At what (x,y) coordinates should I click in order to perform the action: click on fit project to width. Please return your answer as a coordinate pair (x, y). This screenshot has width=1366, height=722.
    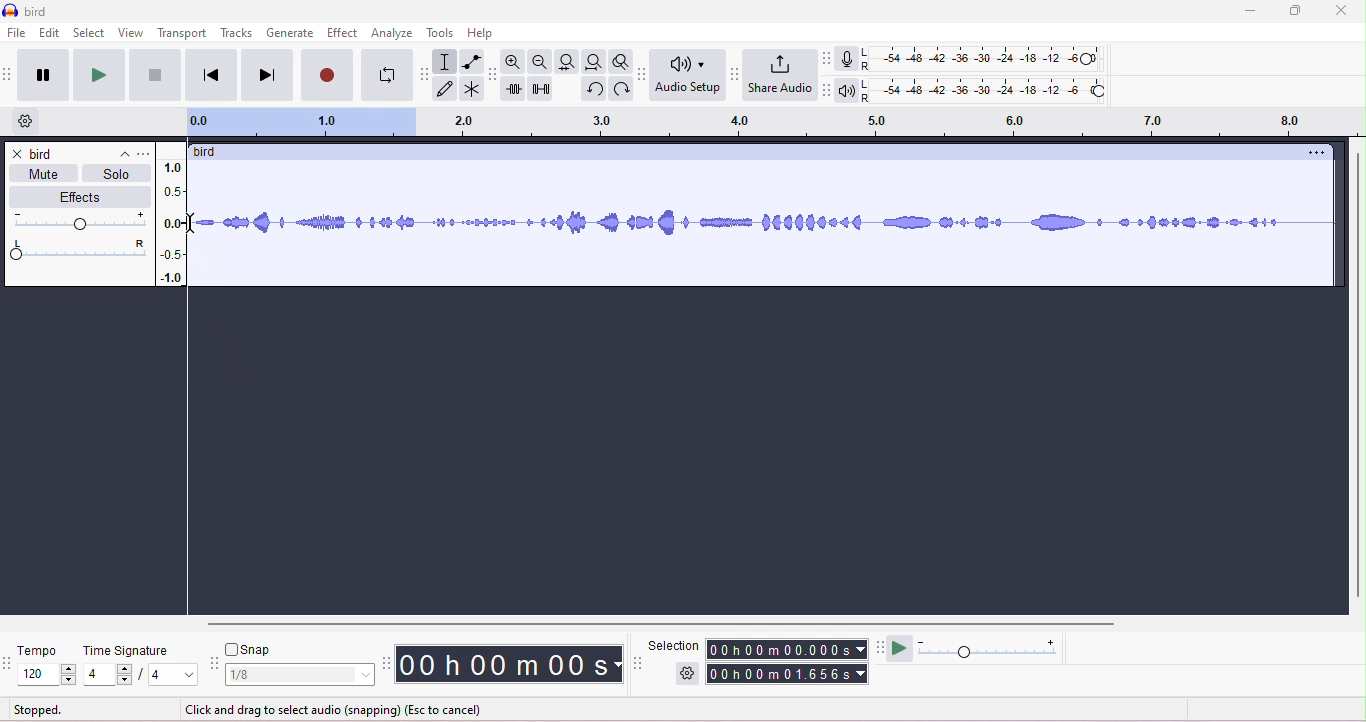
    Looking at the image, I should click on (593, 63).